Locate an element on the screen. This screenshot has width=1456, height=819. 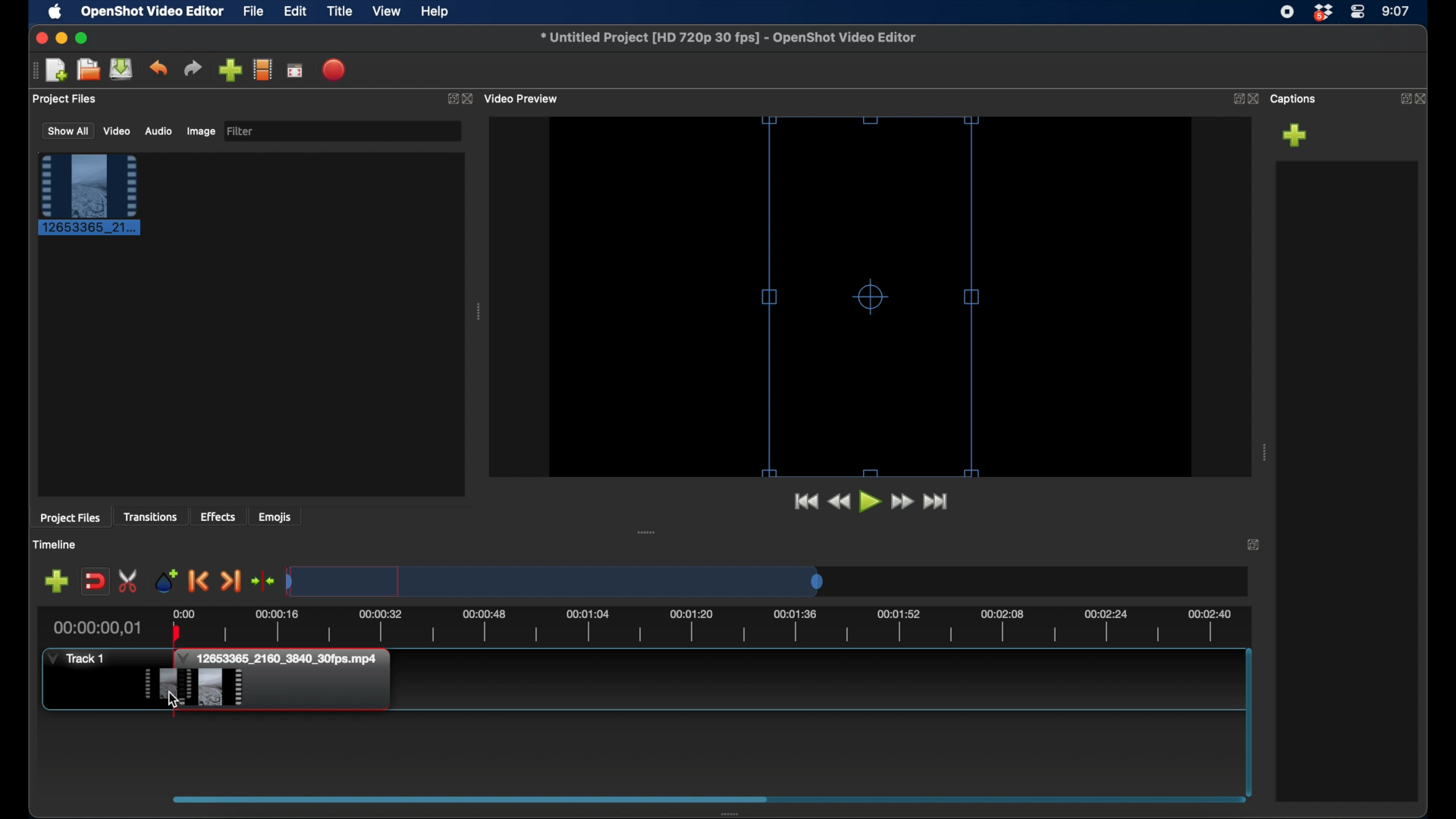
add marker is located at coordinates (56, 582).